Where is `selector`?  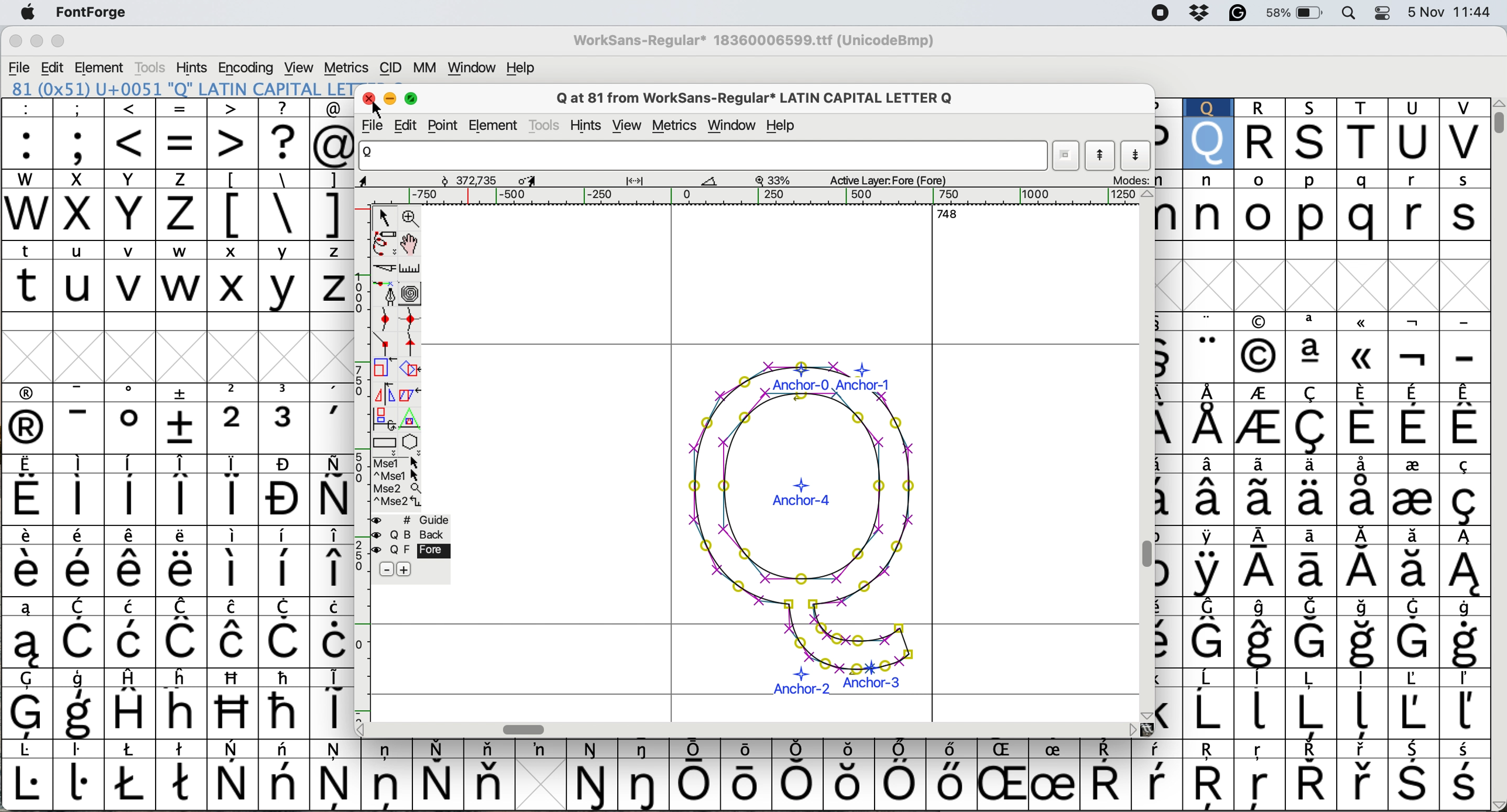 selector is located at coordinates (387, 218).